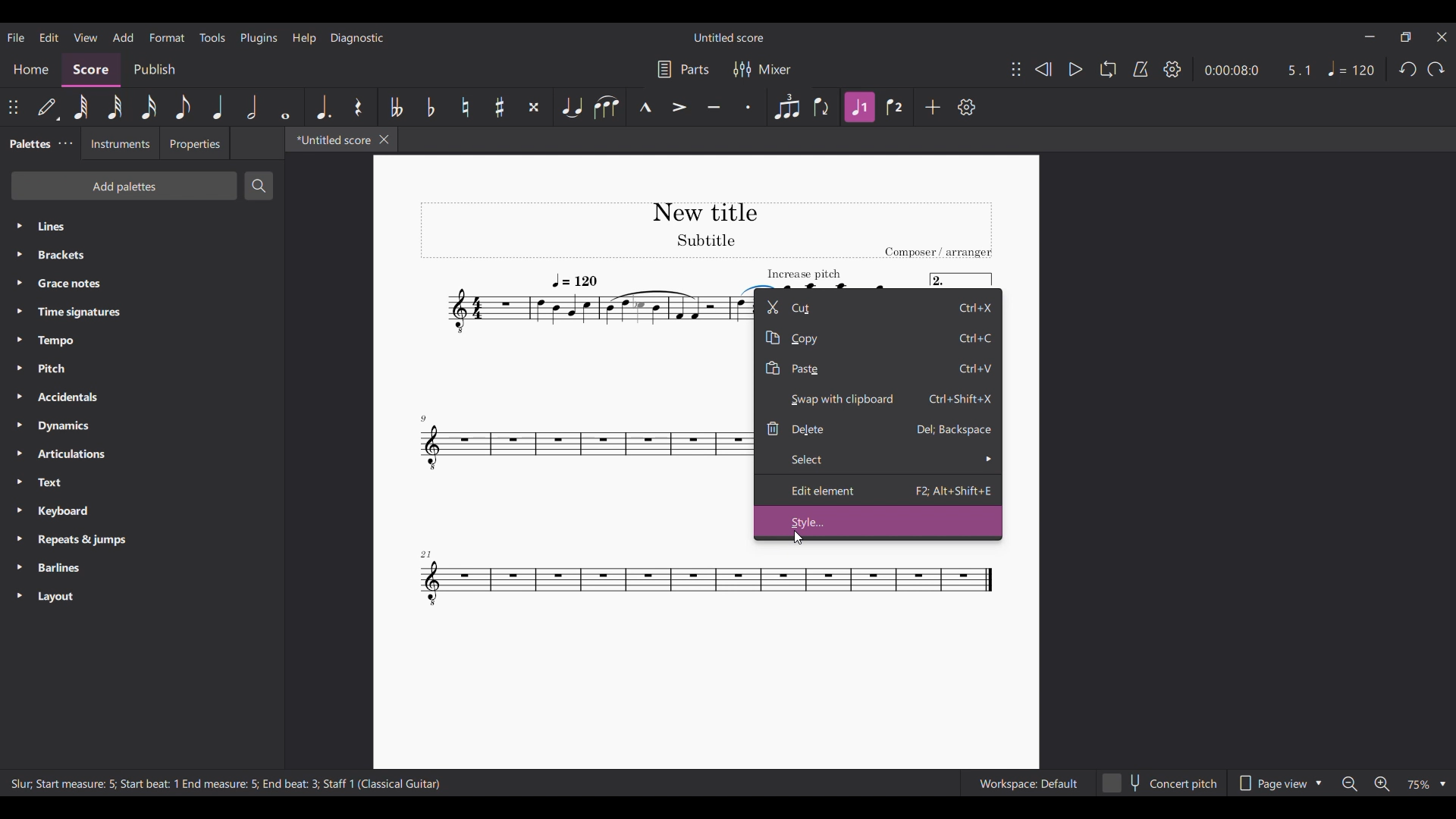  What do you see at coordinates (141, 425) in the screenshot?
I see `Dynamics` at bounding box center [141, 425].